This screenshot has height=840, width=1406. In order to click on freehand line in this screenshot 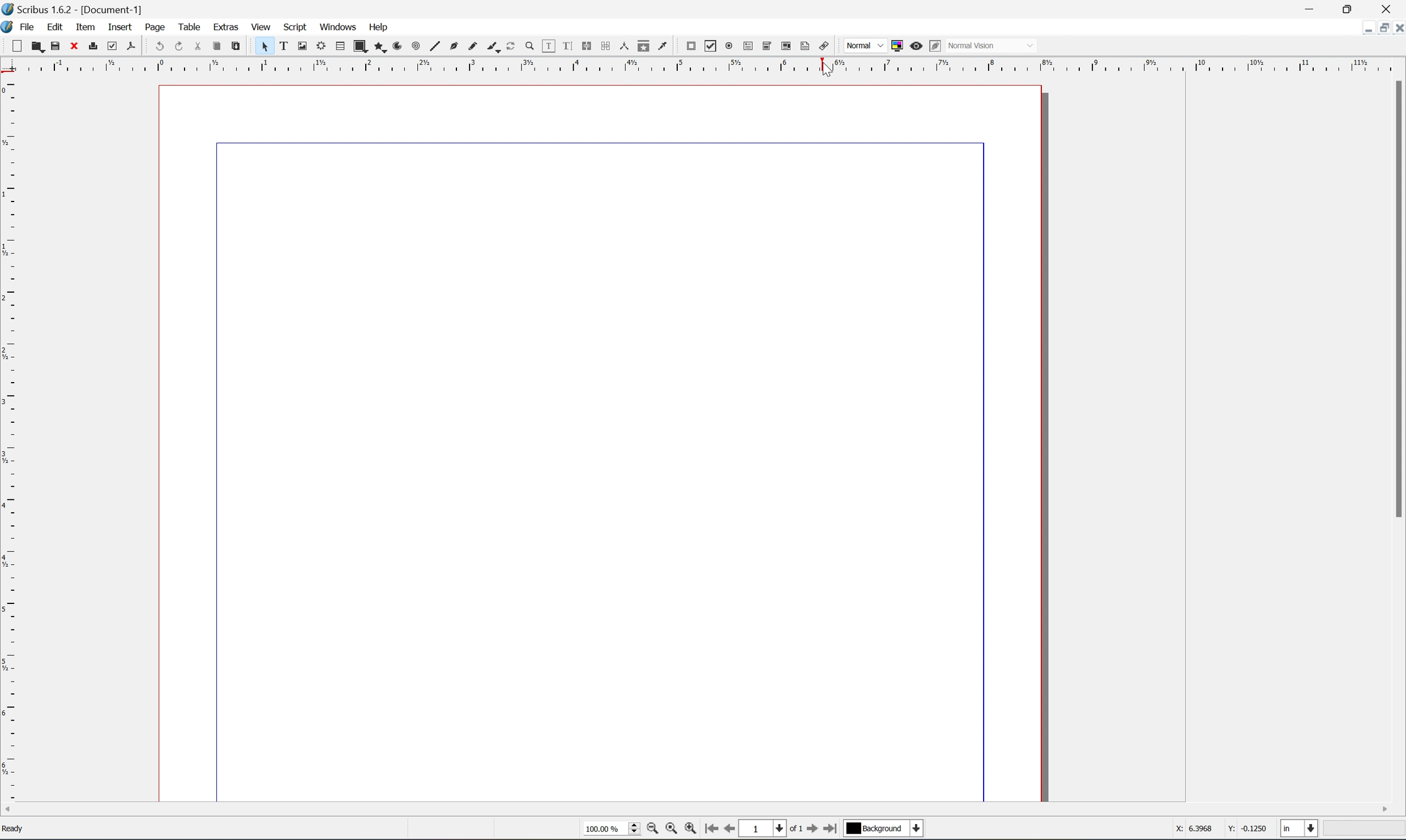, I will do `click(475, 46)`.